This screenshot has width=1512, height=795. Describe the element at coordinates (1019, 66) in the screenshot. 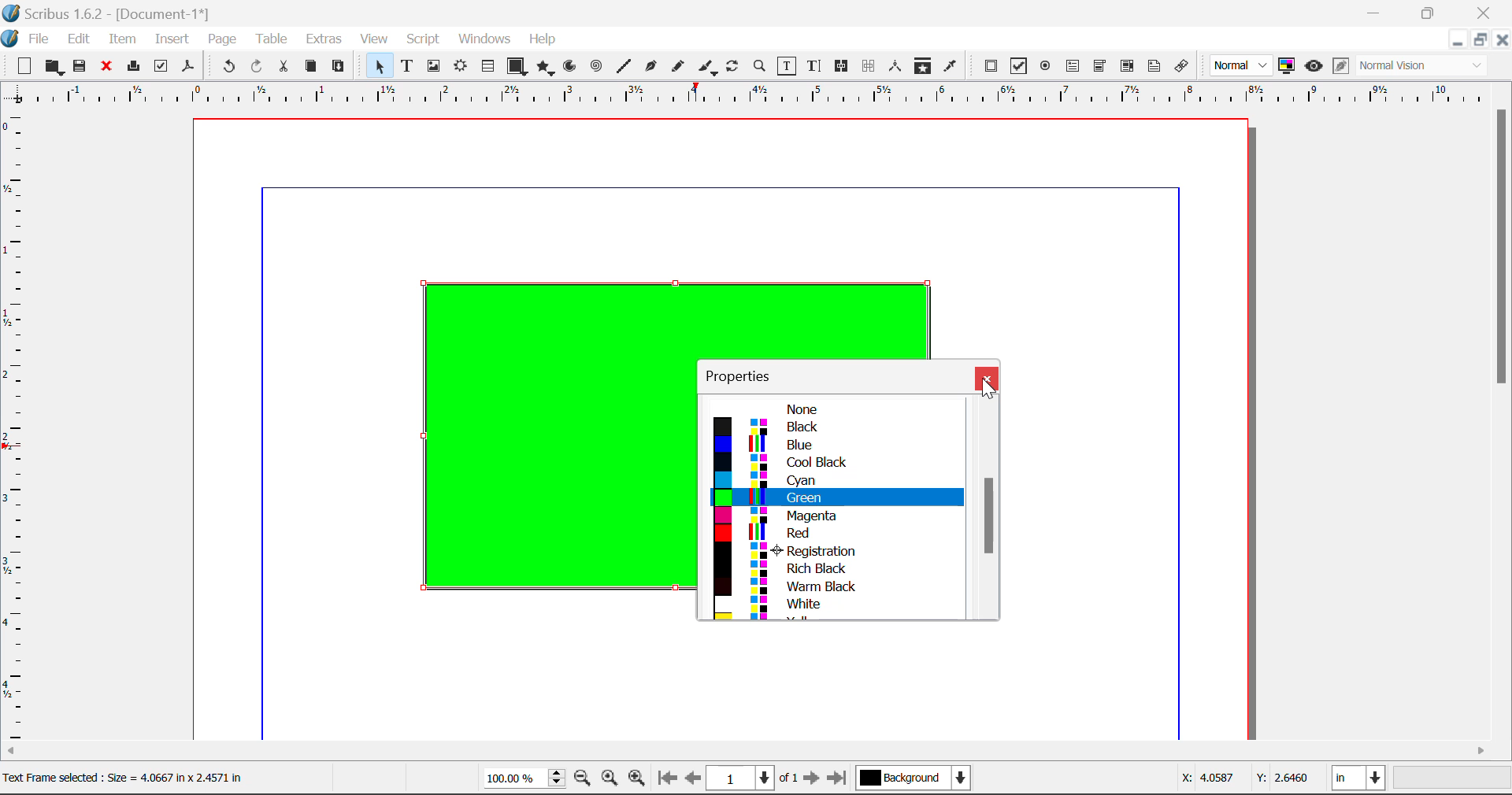

I see `Pdf Checkbox` at that location.